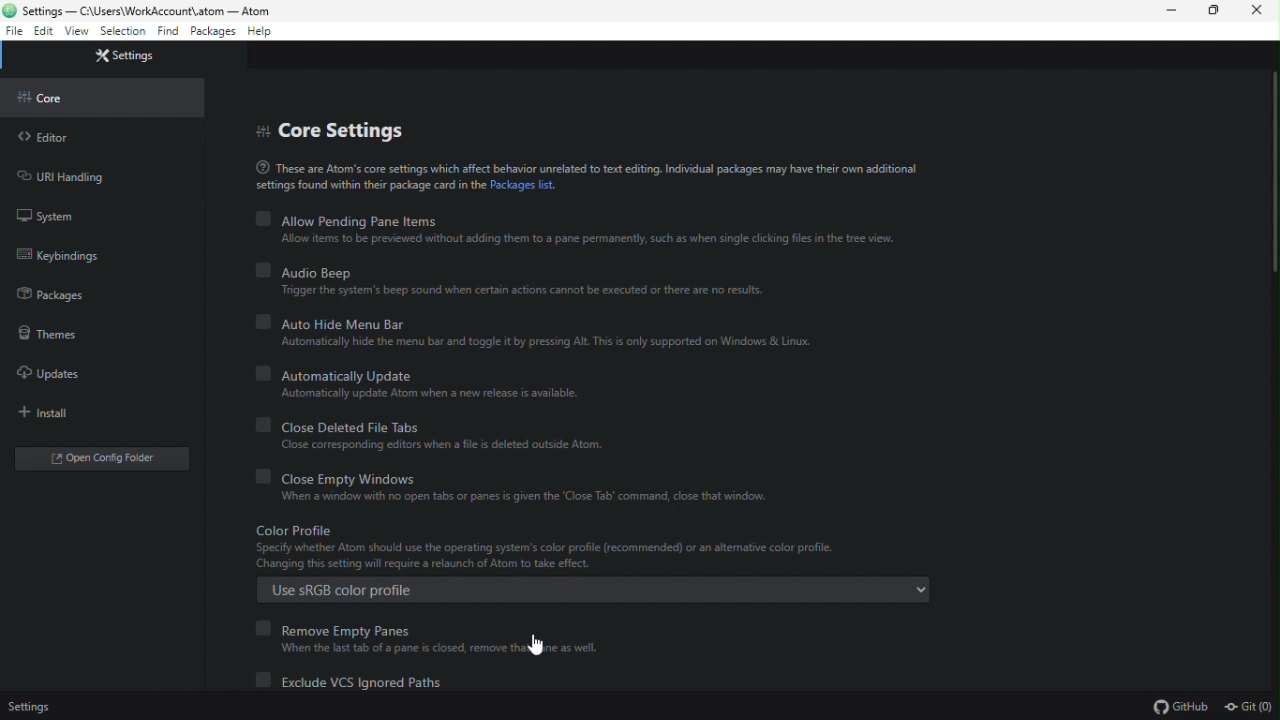  What do you see at coordinates (435, 436) in the screenshot?
I see `close deleted file tabs` at bounding box center [435, 436].